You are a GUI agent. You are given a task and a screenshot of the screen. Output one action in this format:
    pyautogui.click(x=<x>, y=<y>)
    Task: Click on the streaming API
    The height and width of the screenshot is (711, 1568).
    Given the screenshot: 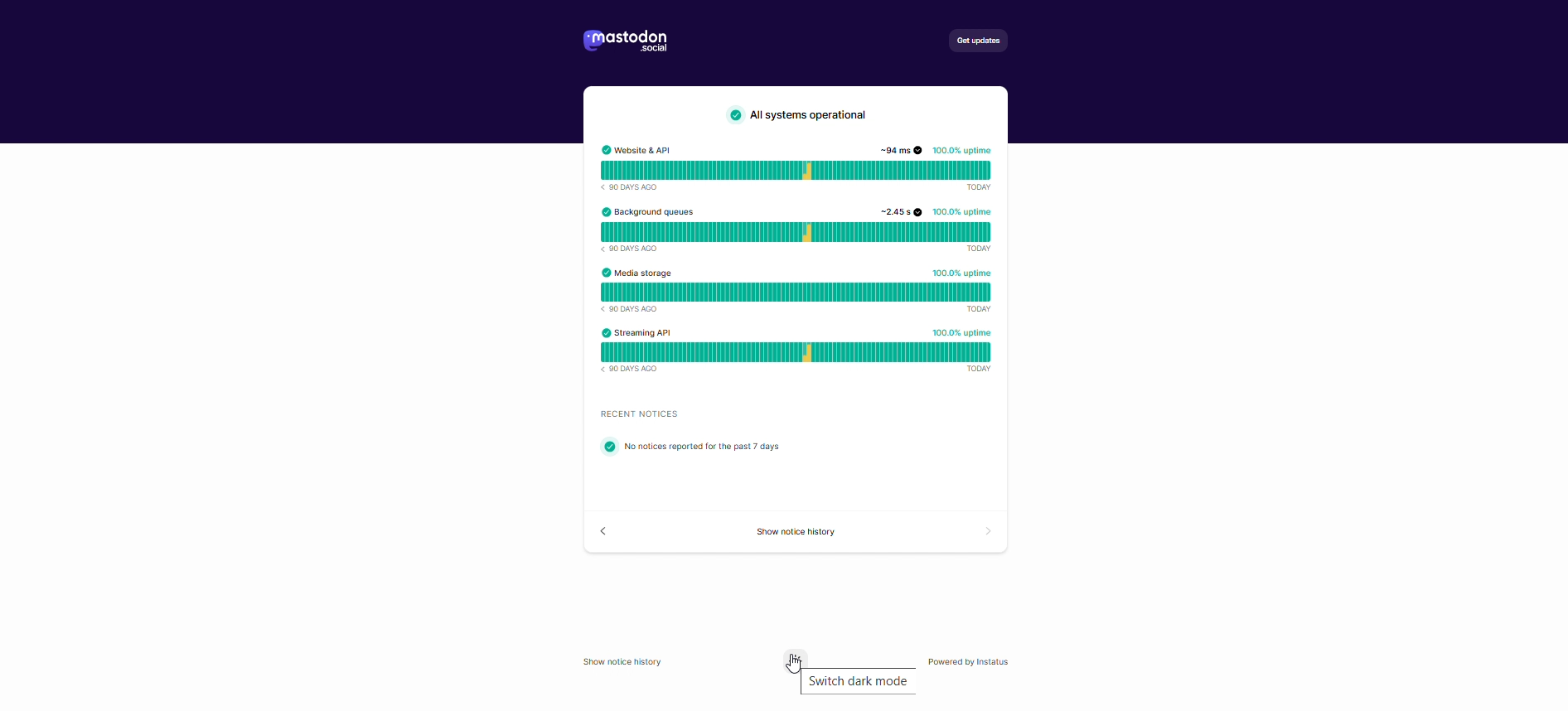 What is the action you would take?
    pyautogui.click(x=801, y=349)
    